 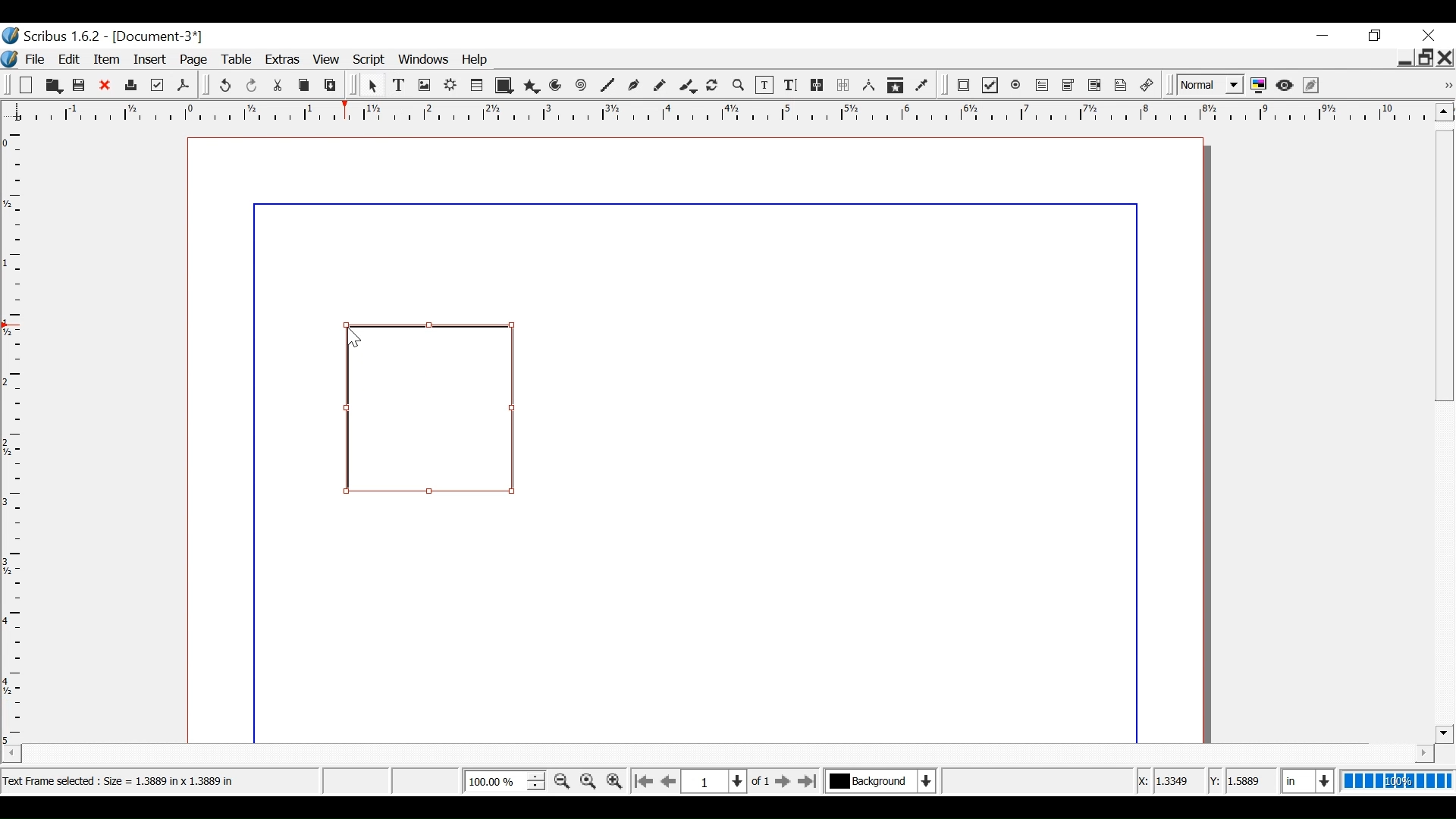 I want to click on Polygon , so click(x=532, y=86).